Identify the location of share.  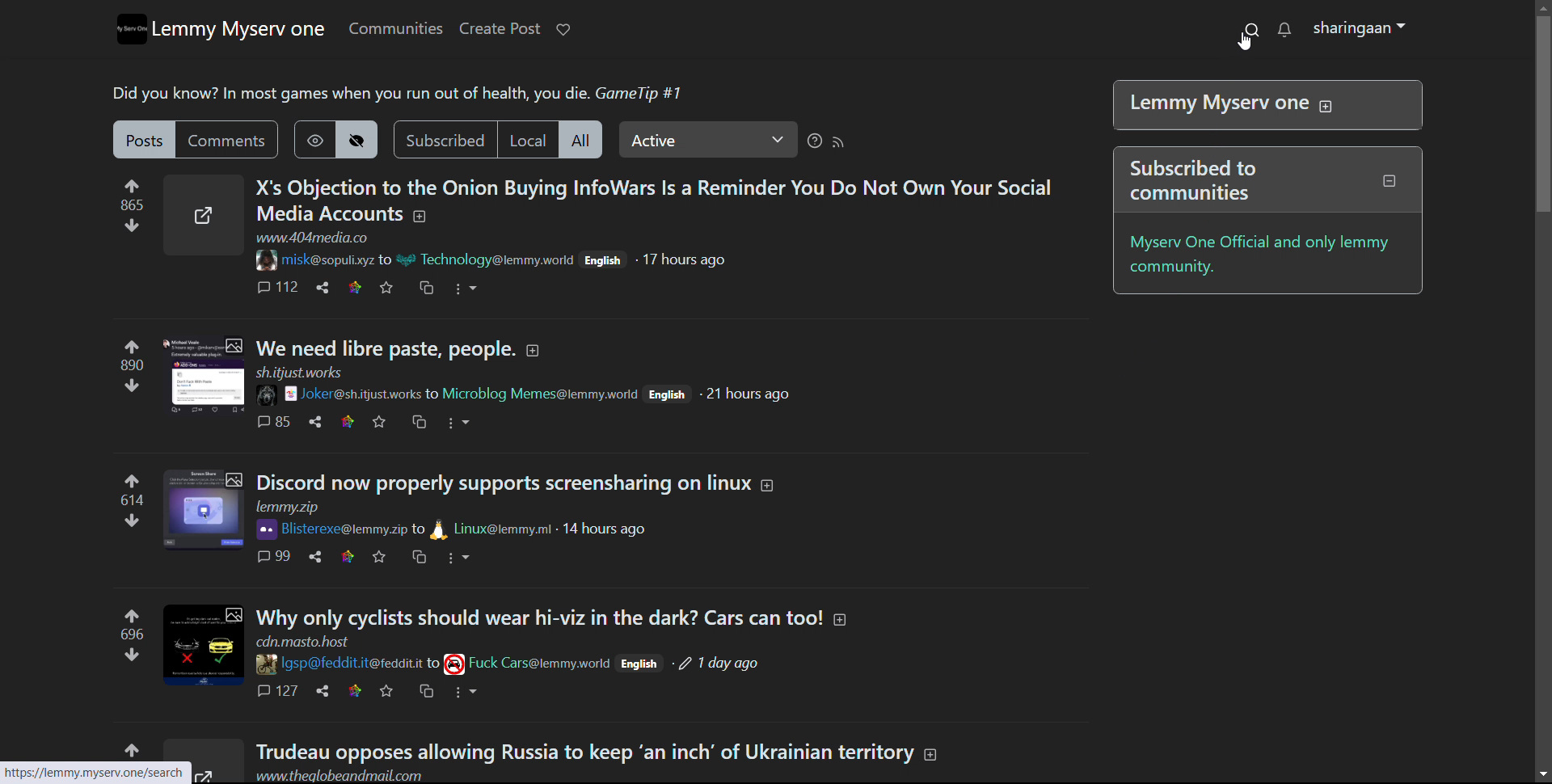
(317, 422).